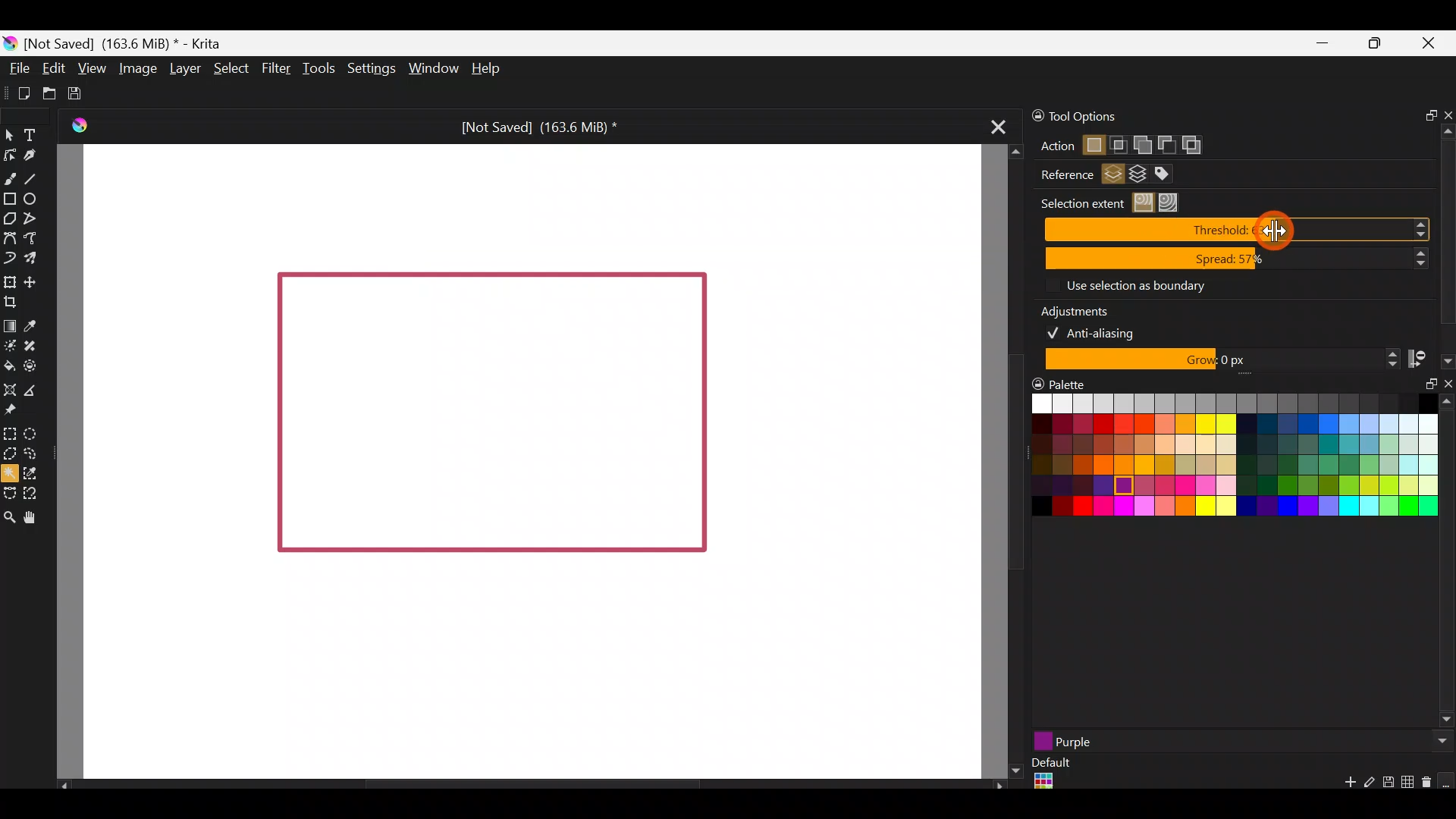 The width and height of the screenshot is (1456, 819). What do you see at coordinates (91, 66) in the screenshot?
I see `View` at bounding box center [91, 66].